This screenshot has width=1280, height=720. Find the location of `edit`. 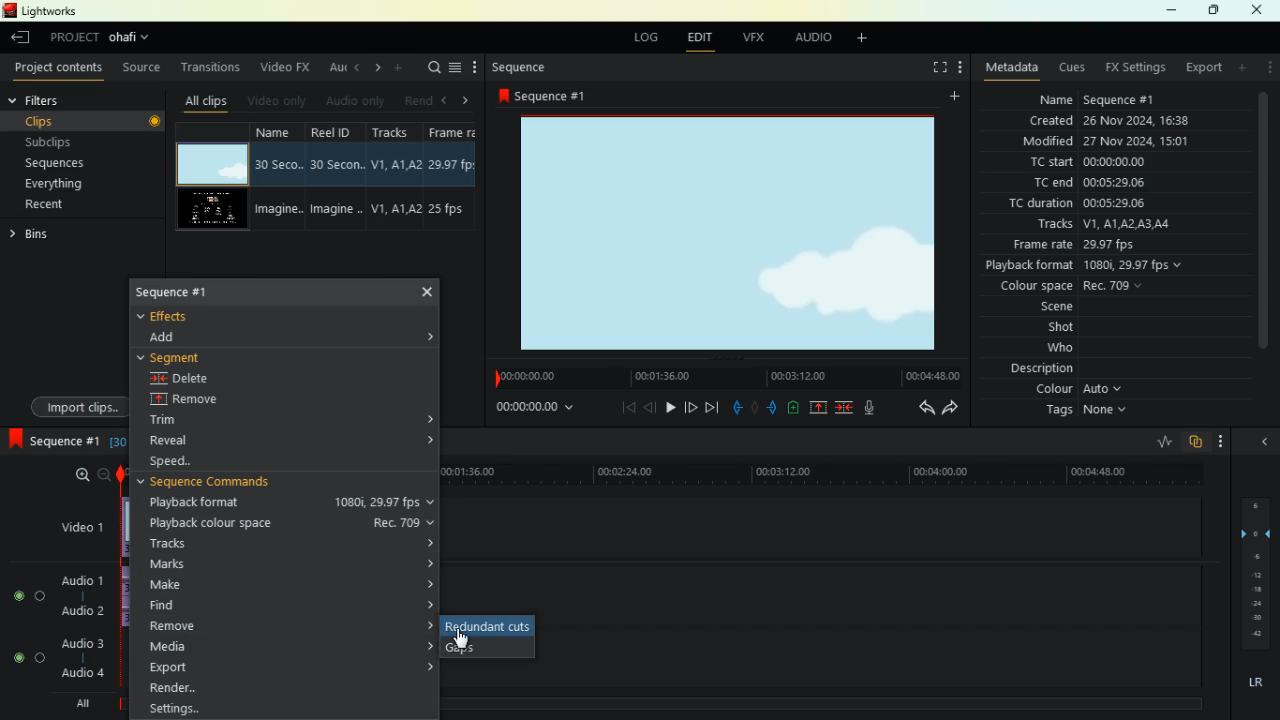

edit is located at coordinates (697, 37).